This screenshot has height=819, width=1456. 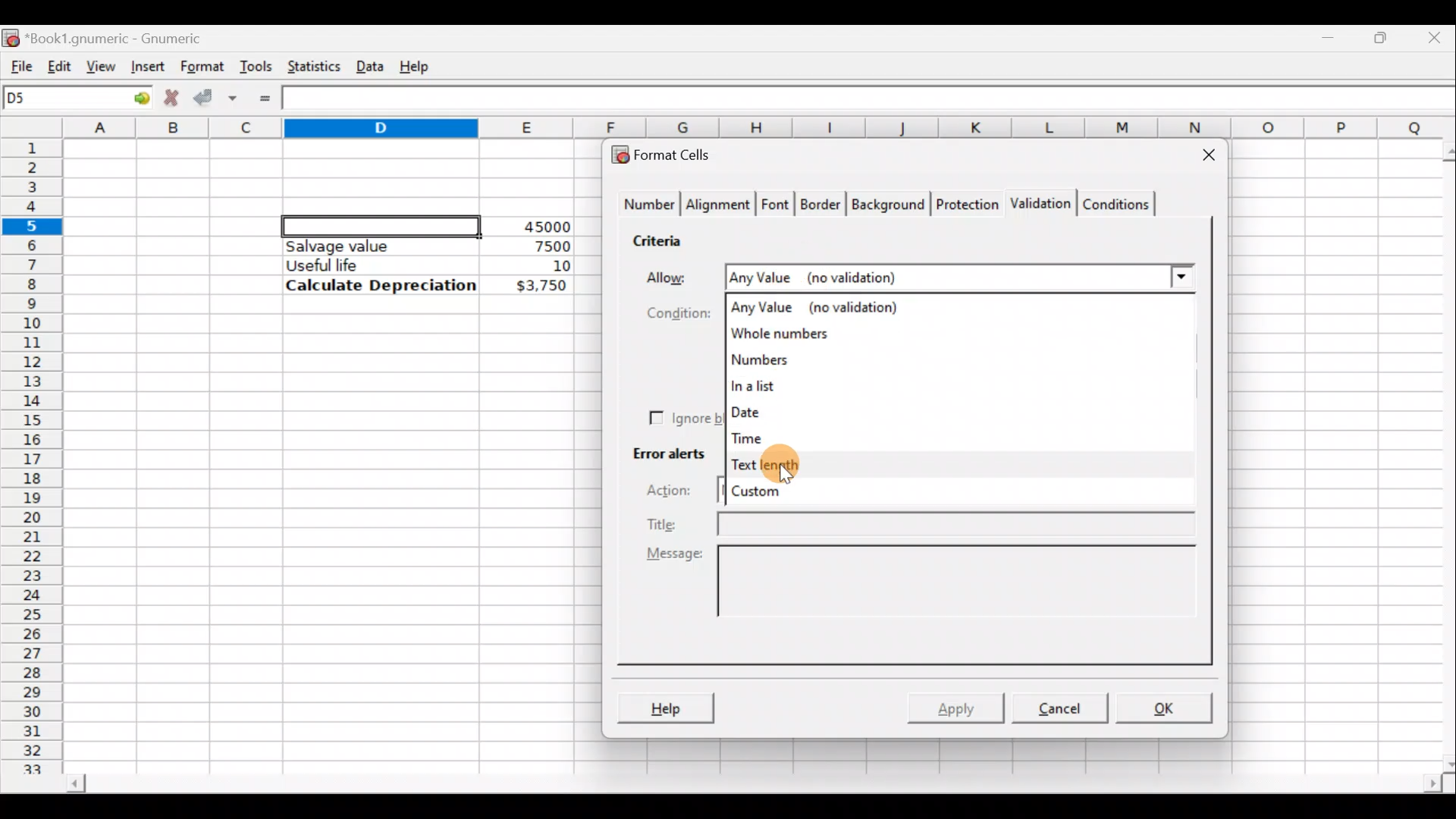 I want to click on Salvage value, so click(x=367, y=246).